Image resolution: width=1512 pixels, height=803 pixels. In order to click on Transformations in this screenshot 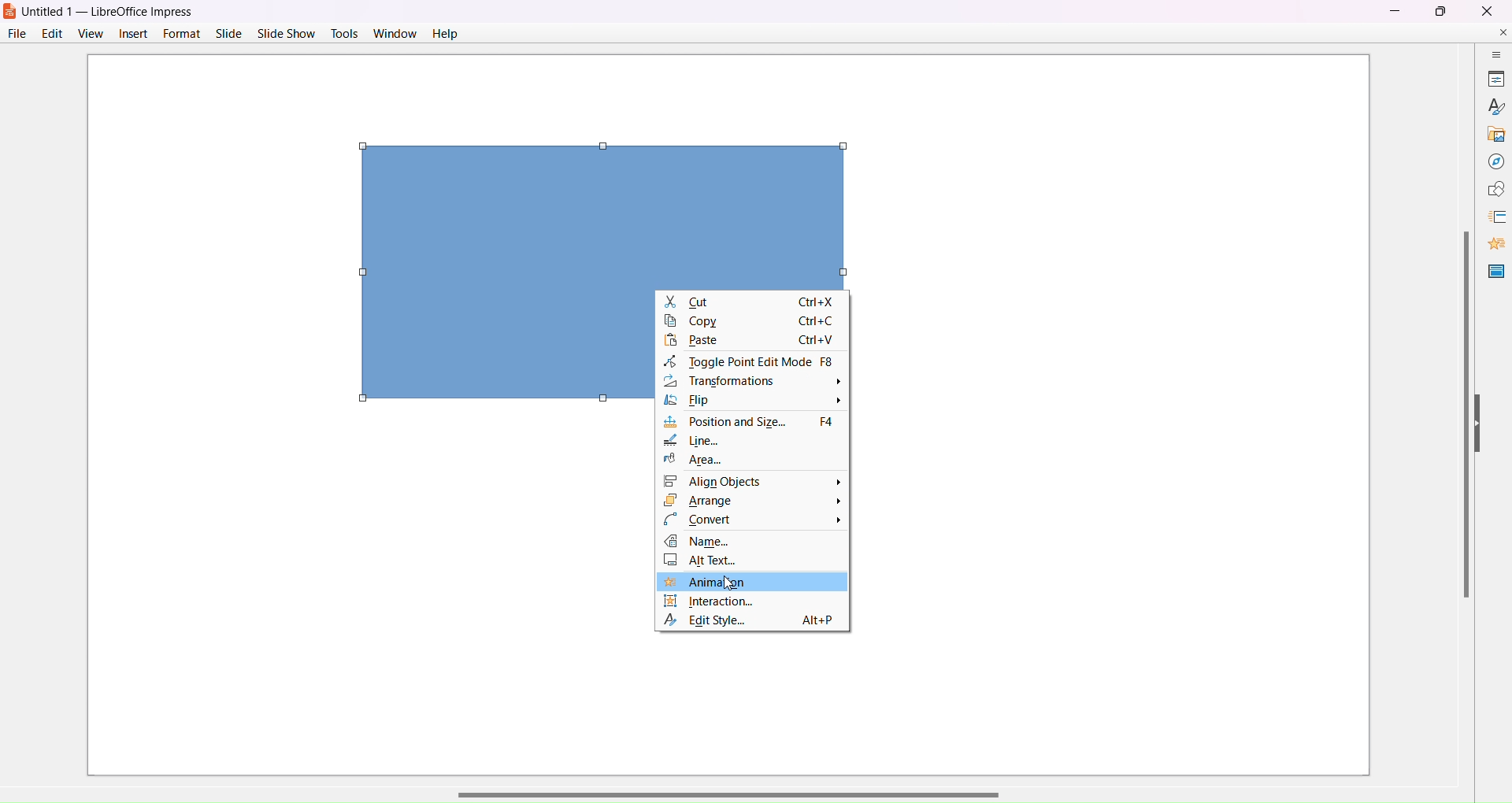, I will do `click(751, 382)`.